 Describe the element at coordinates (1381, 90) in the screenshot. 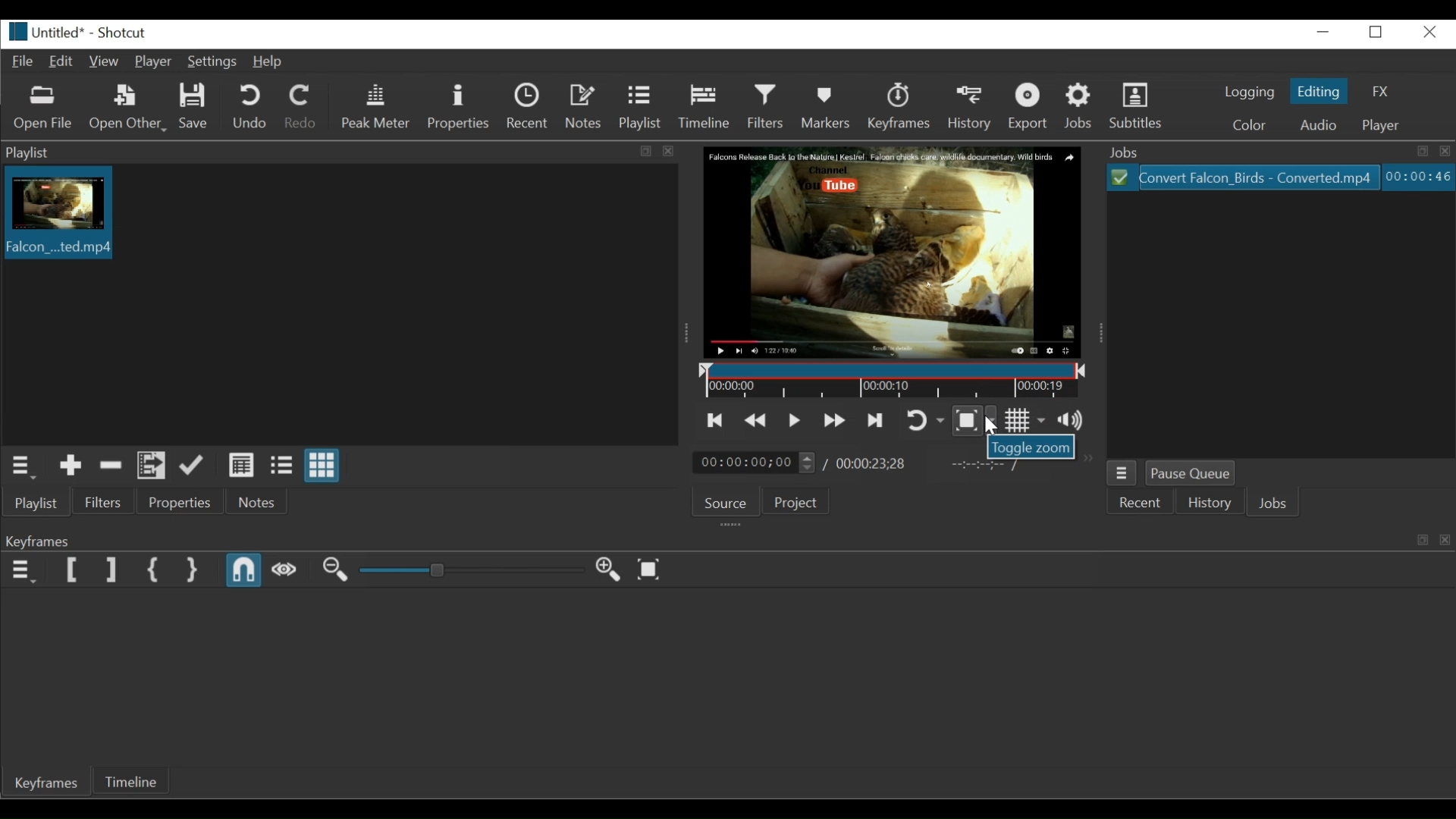

I see `FZ` at that location.